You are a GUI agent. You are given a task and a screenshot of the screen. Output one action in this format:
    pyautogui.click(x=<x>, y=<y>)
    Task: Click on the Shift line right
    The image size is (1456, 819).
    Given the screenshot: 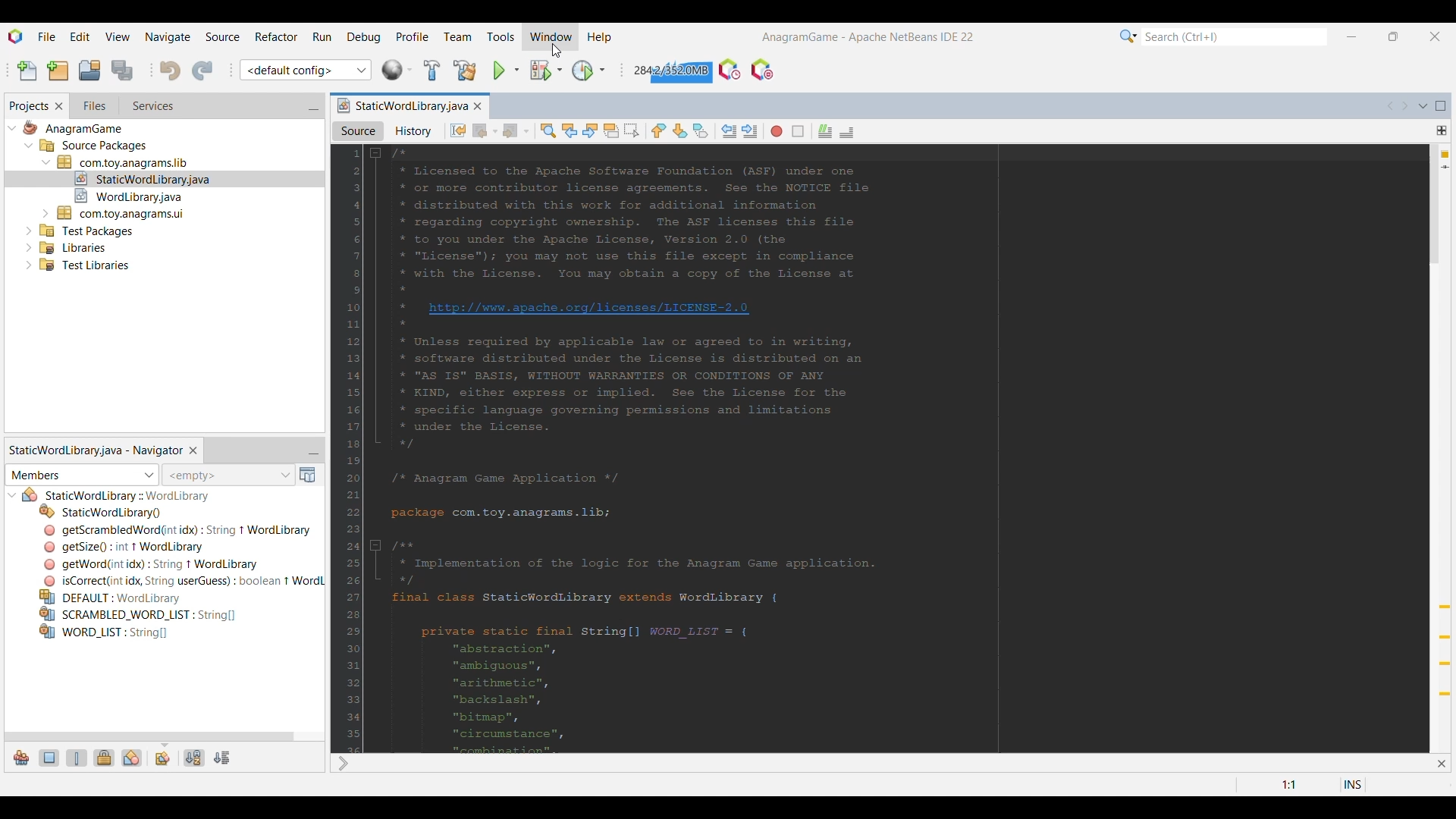 What is the action you would take?
    pyautogui.click(x=750, y=131)
    